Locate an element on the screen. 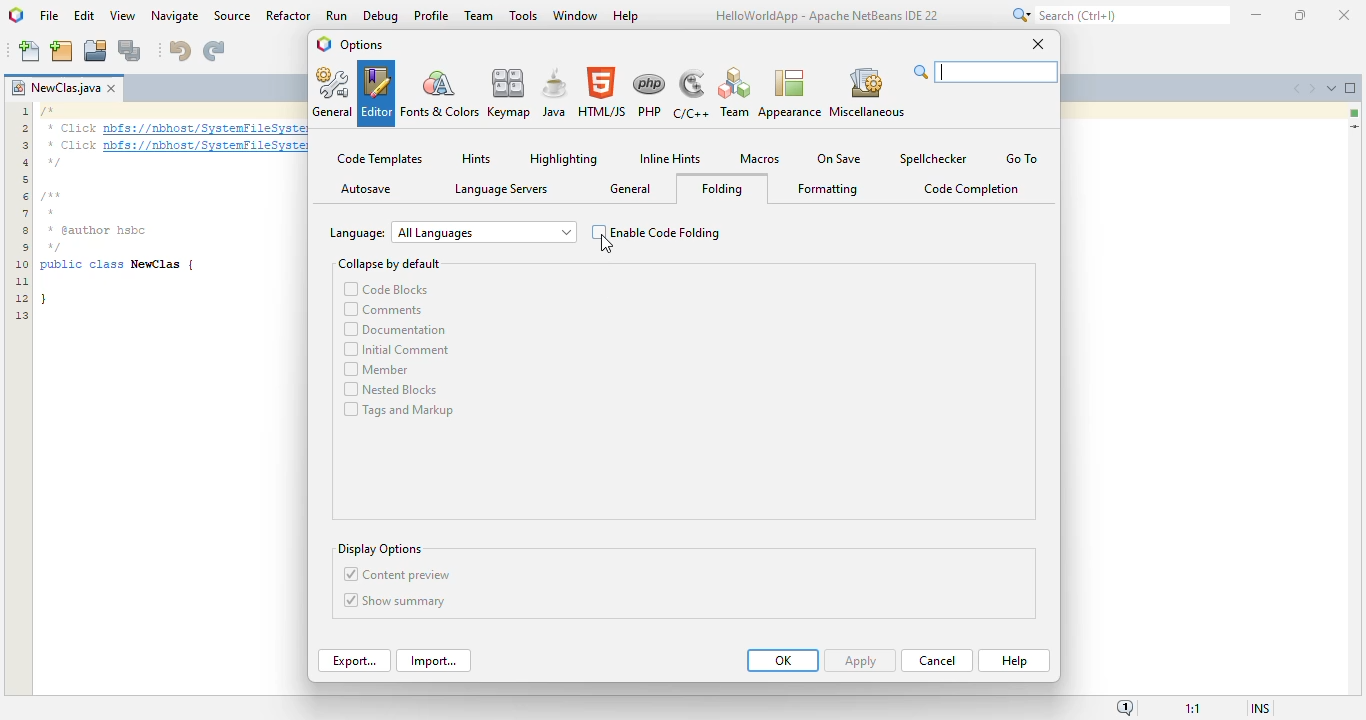 The image size is (1366, 720). go to is located at coordinates (1022, 158).